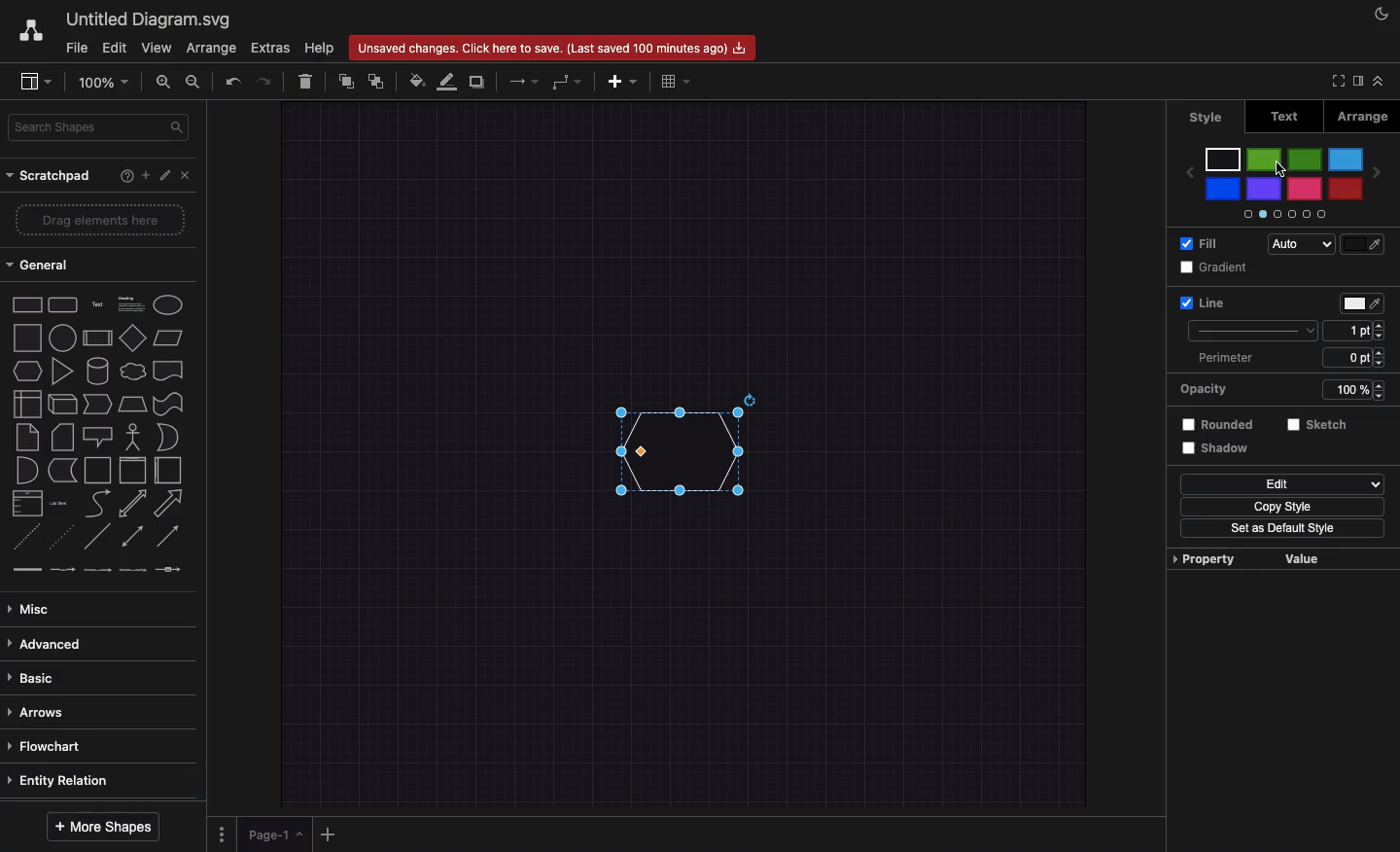 The image size is (1400, 852). What do you see at coordinates (1282, 115) in the screenshot?
I see `Text` at bounding box center [1282, 115].